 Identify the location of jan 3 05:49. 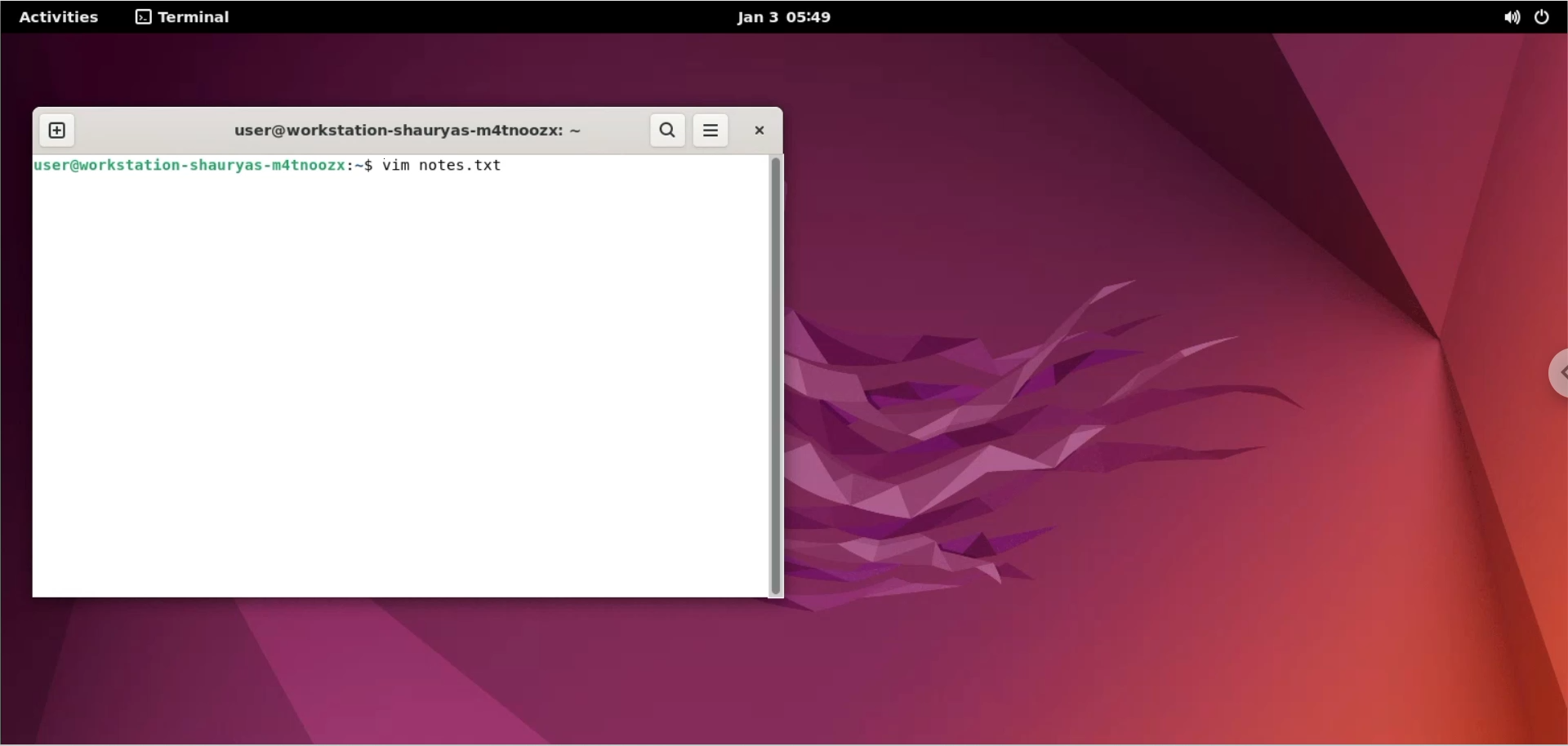
(778, 18).